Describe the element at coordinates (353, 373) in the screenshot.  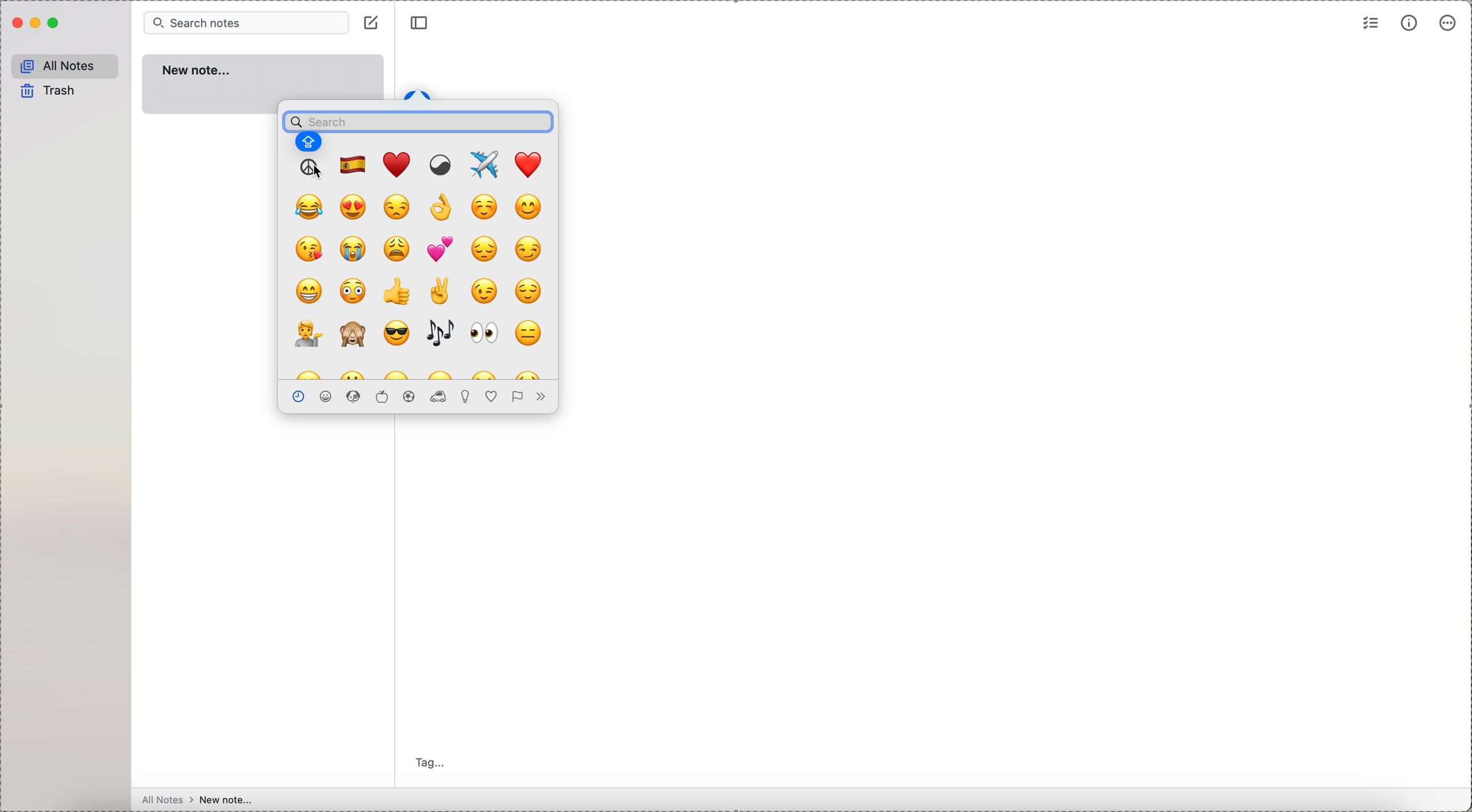
I see `emoji` at that location.